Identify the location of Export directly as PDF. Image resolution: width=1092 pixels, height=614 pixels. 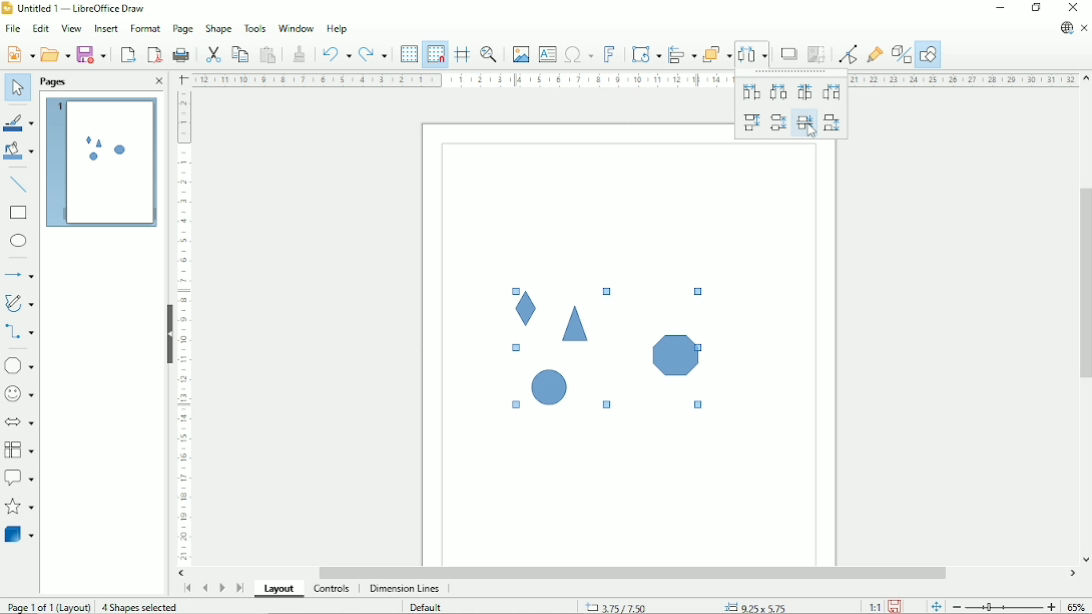
(154, 55).